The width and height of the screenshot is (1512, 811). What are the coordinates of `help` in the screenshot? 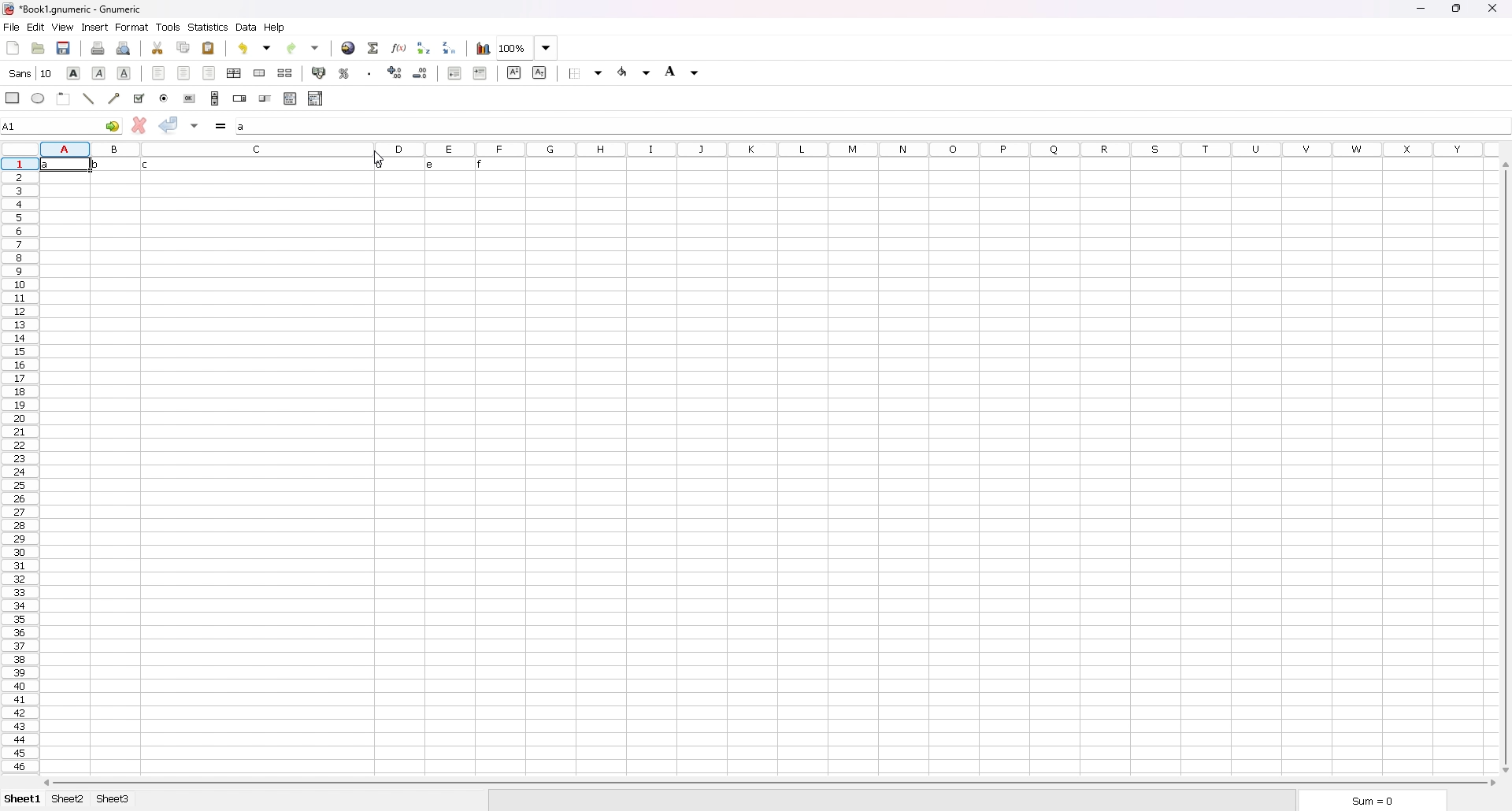 It's located at (276, 27).